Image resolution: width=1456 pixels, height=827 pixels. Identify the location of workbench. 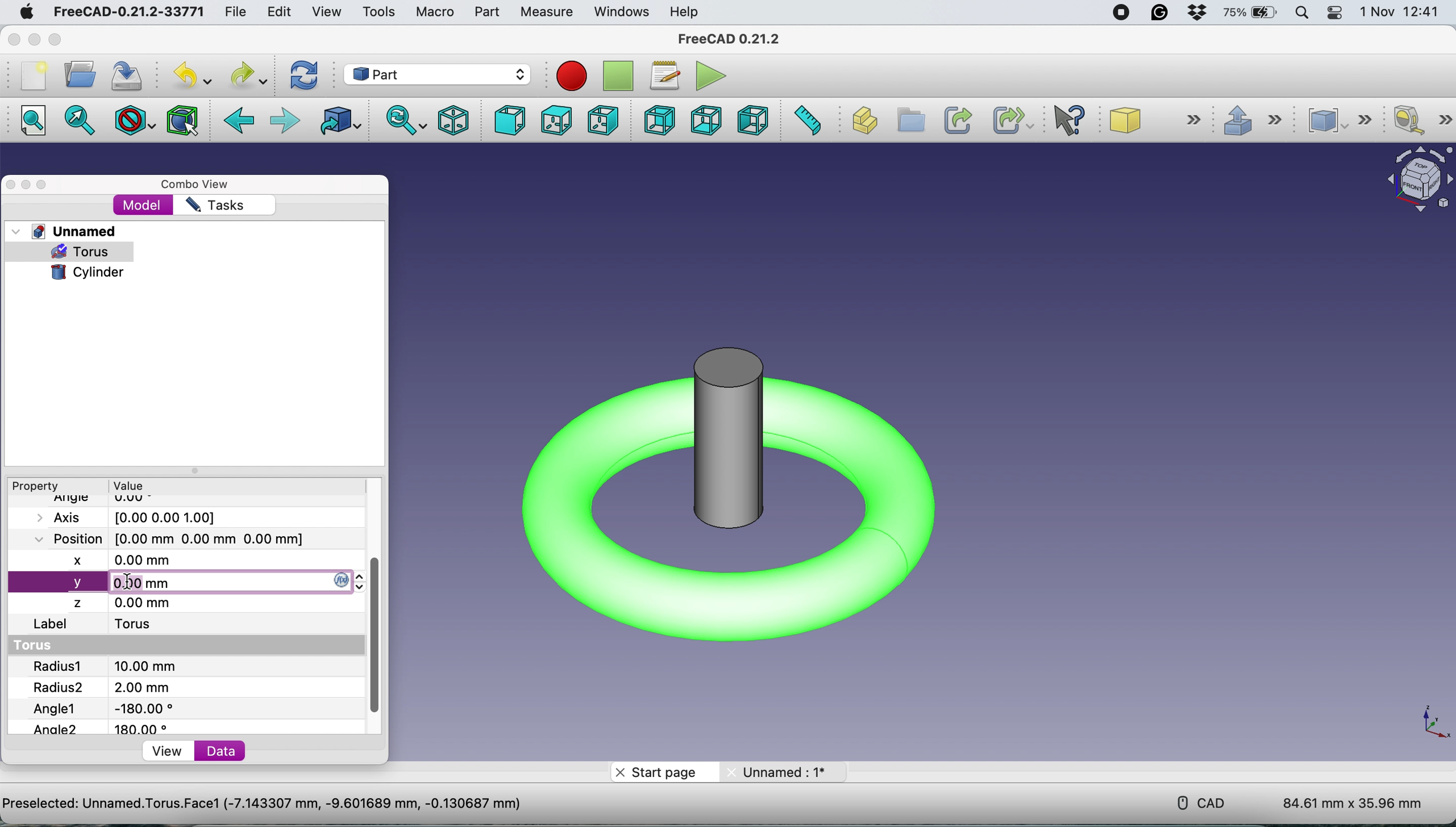
(437, 73).